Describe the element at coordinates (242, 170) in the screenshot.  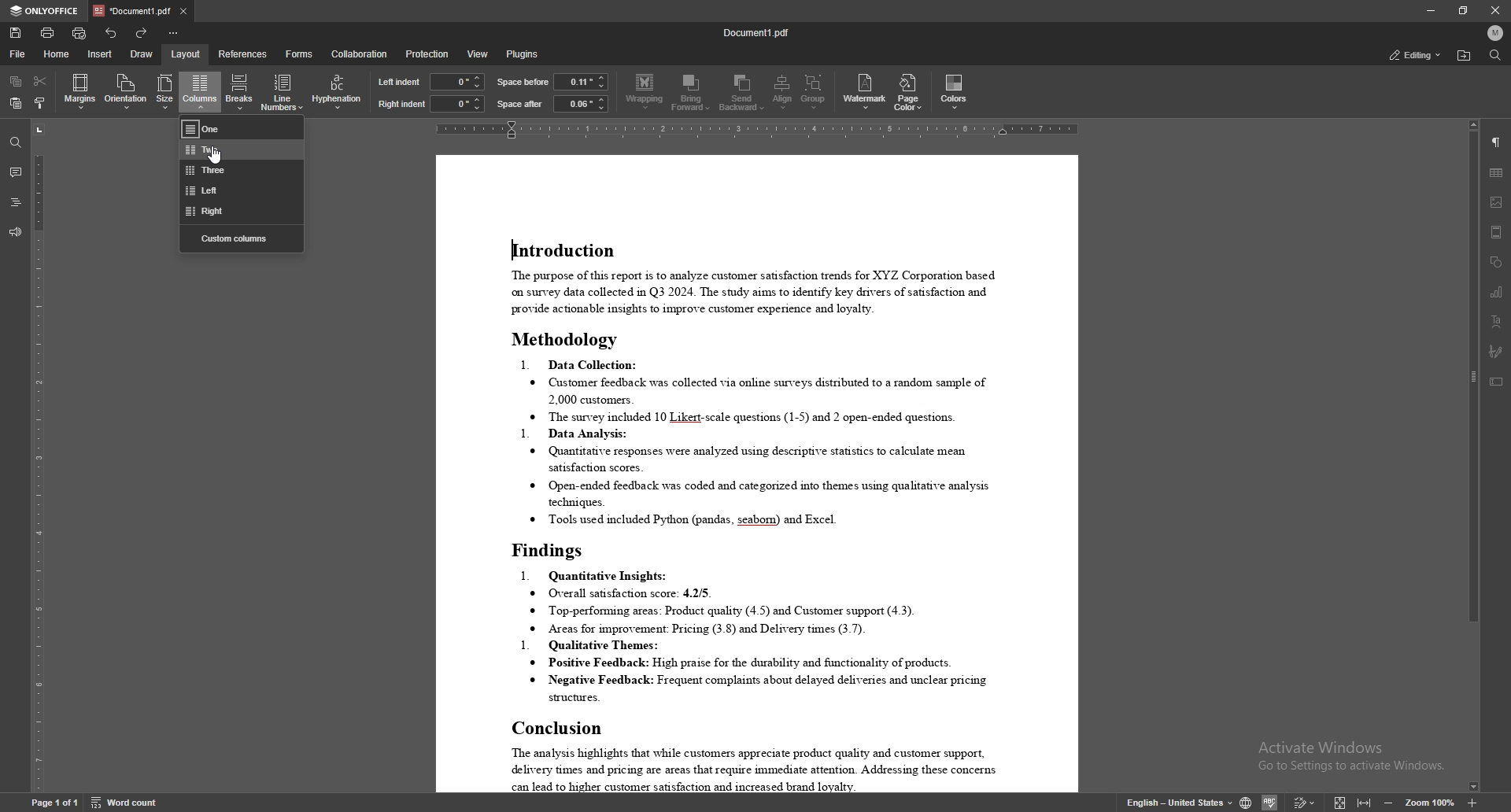
I see `three columns` at that location.